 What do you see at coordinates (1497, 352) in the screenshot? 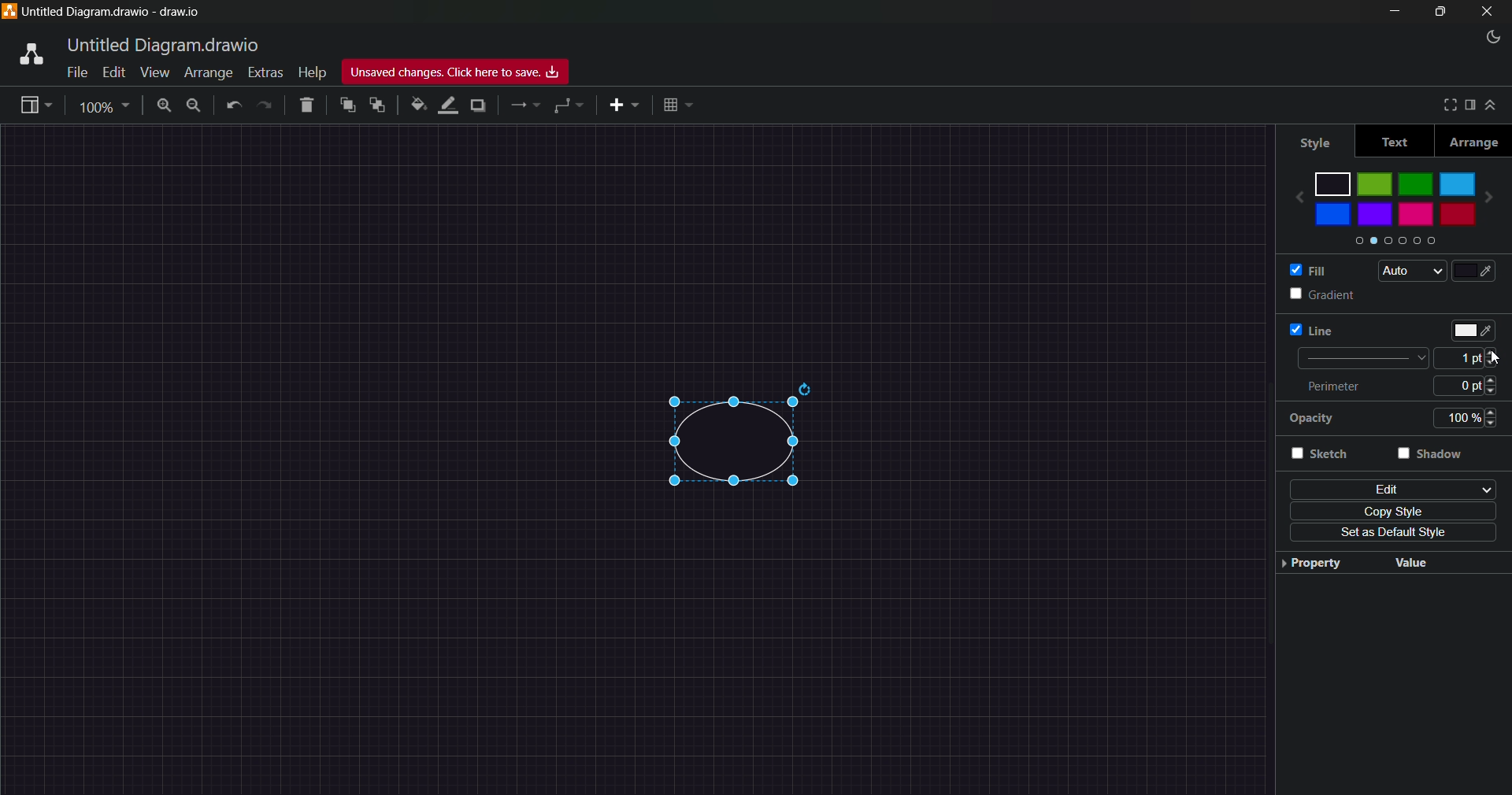
I see `increase thickness` at bounding box center [1497, 352].